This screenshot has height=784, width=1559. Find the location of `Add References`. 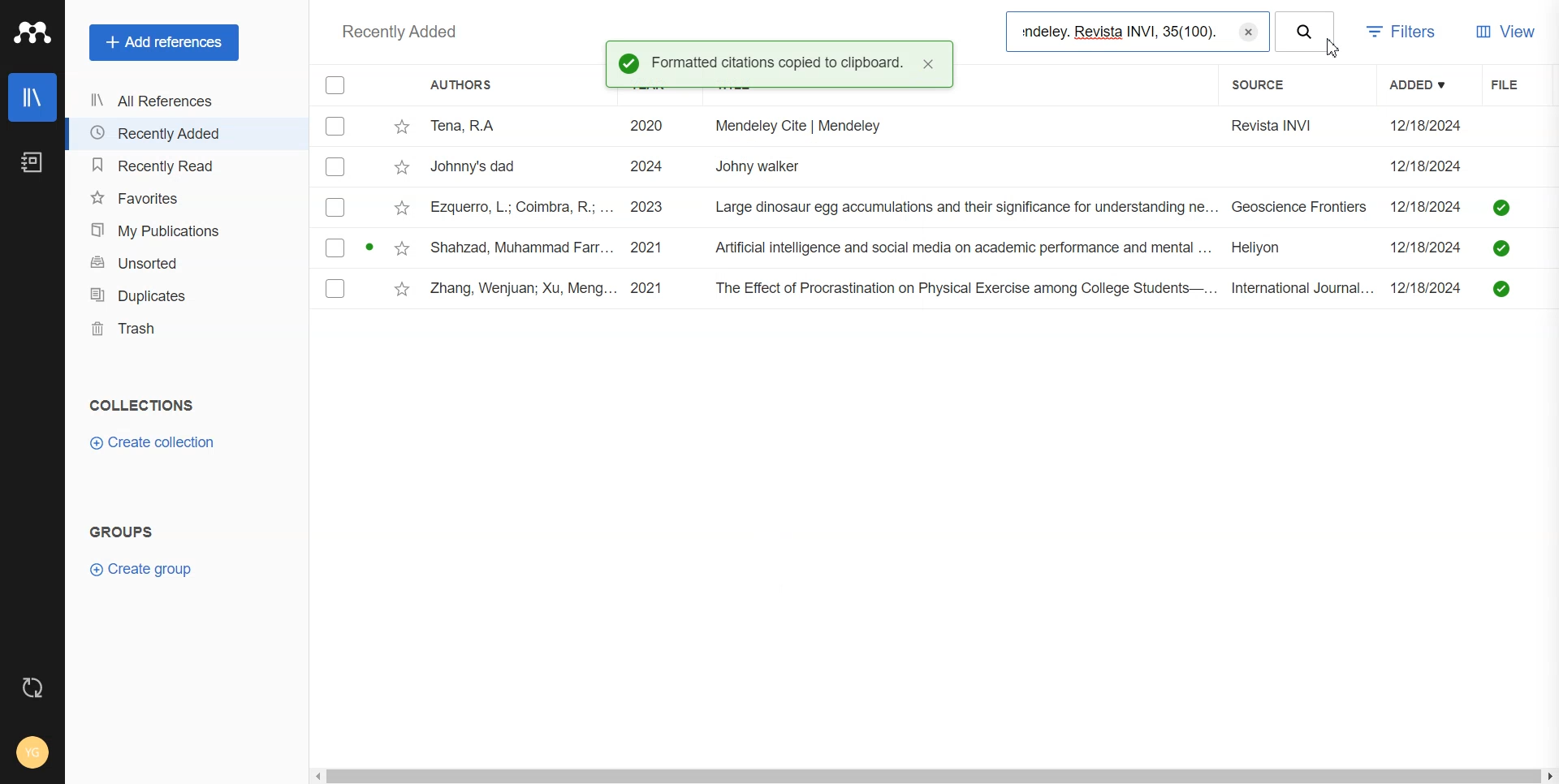

Add References is located at coordinates (165, 43).